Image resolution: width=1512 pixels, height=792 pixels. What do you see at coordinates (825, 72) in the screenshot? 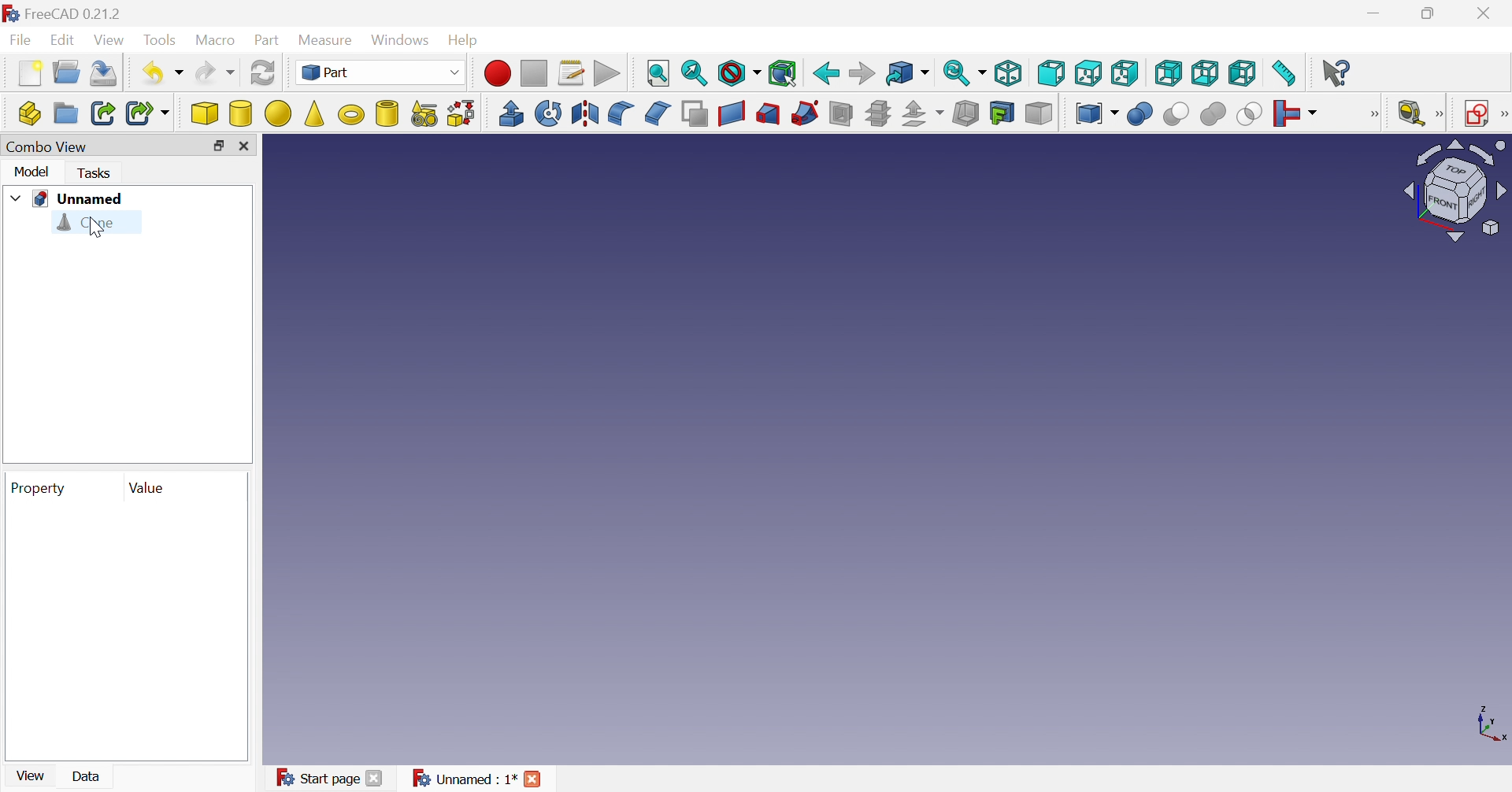
I see `Back` at bounding box center [825, 72].